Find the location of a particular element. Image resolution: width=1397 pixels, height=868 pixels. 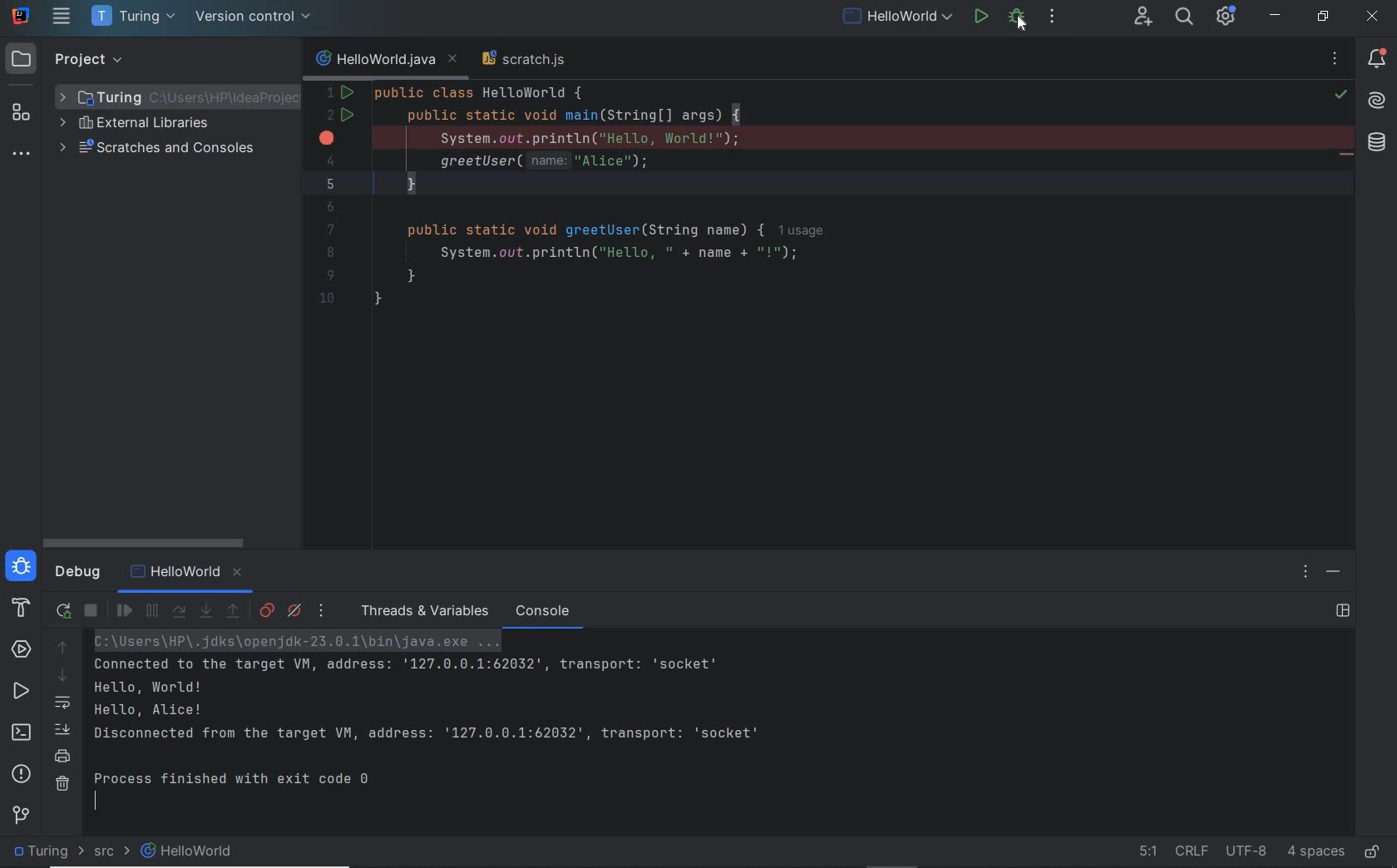

options is located at coordinates (1307, 574).